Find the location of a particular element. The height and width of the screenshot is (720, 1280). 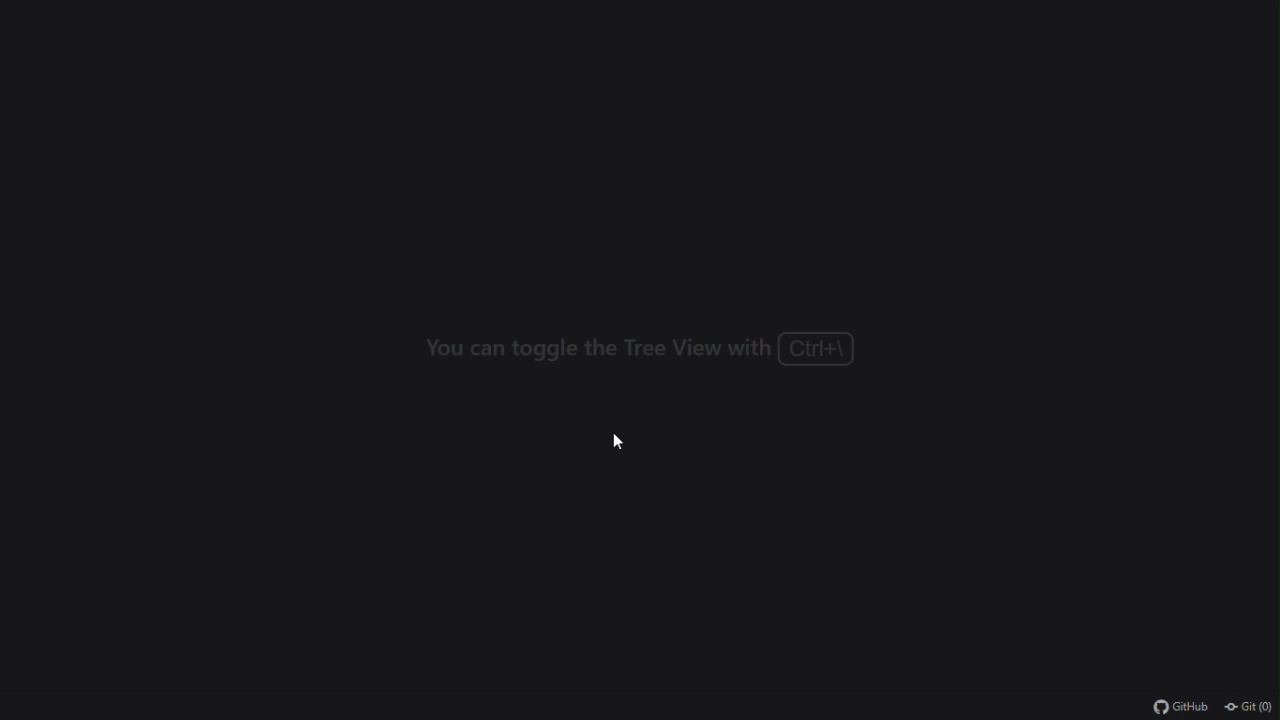

cursor is located at coordinates (614, 439).